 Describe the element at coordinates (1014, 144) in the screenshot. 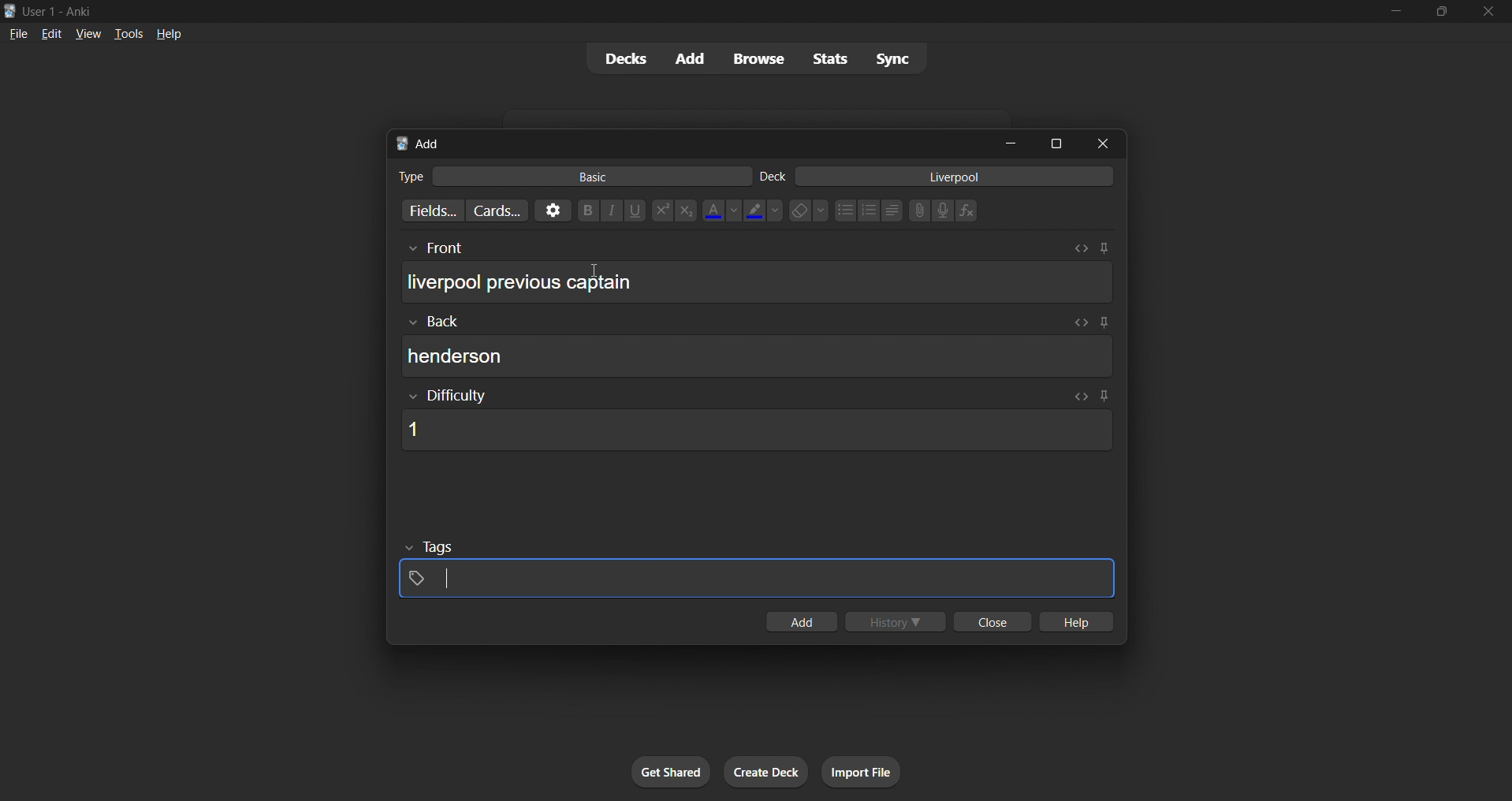

I see `minimize` at that location.